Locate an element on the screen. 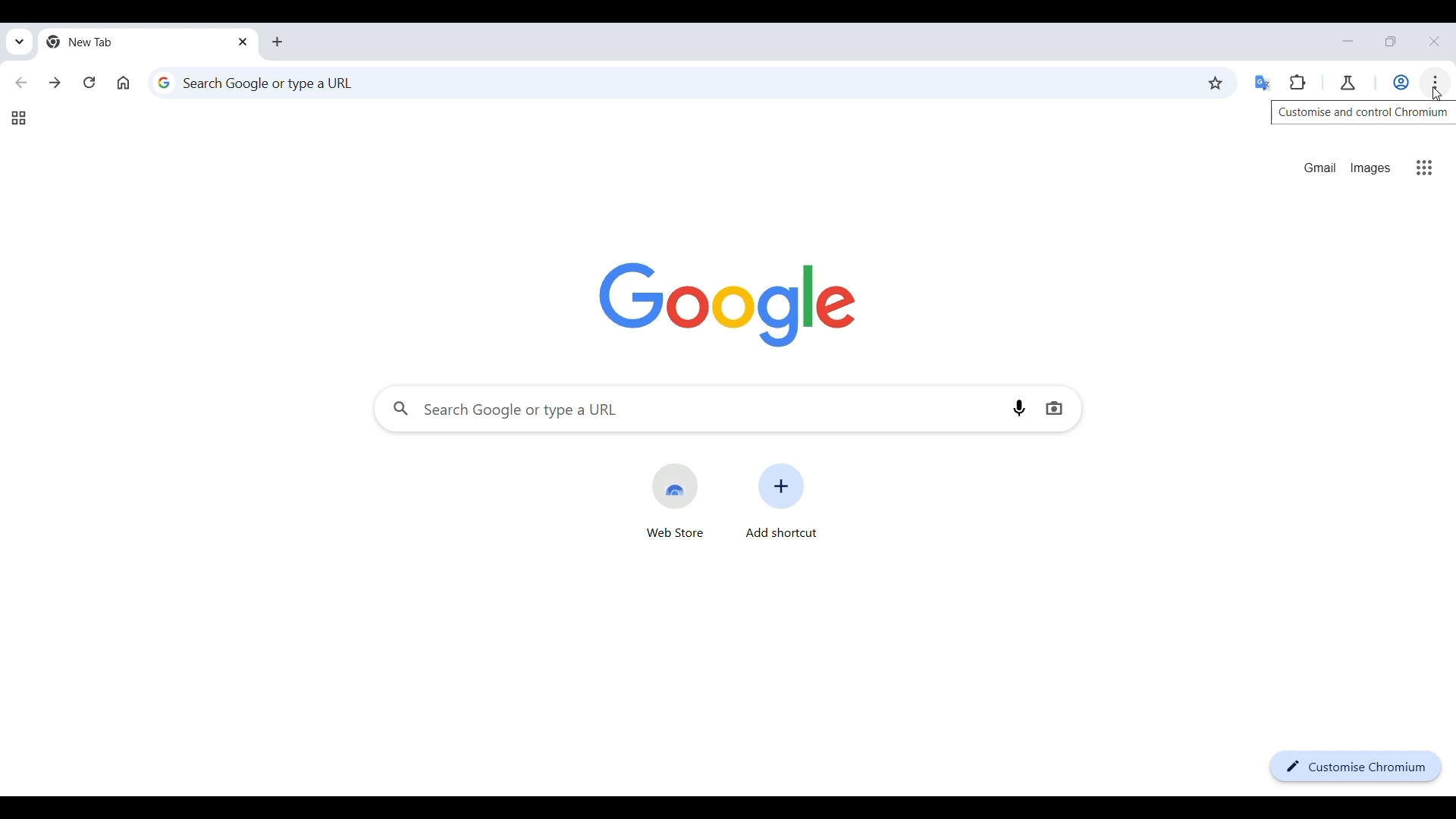 The width and height of the screenshot is (1456, 819). Add new tab is located at coordinates (277, 42).